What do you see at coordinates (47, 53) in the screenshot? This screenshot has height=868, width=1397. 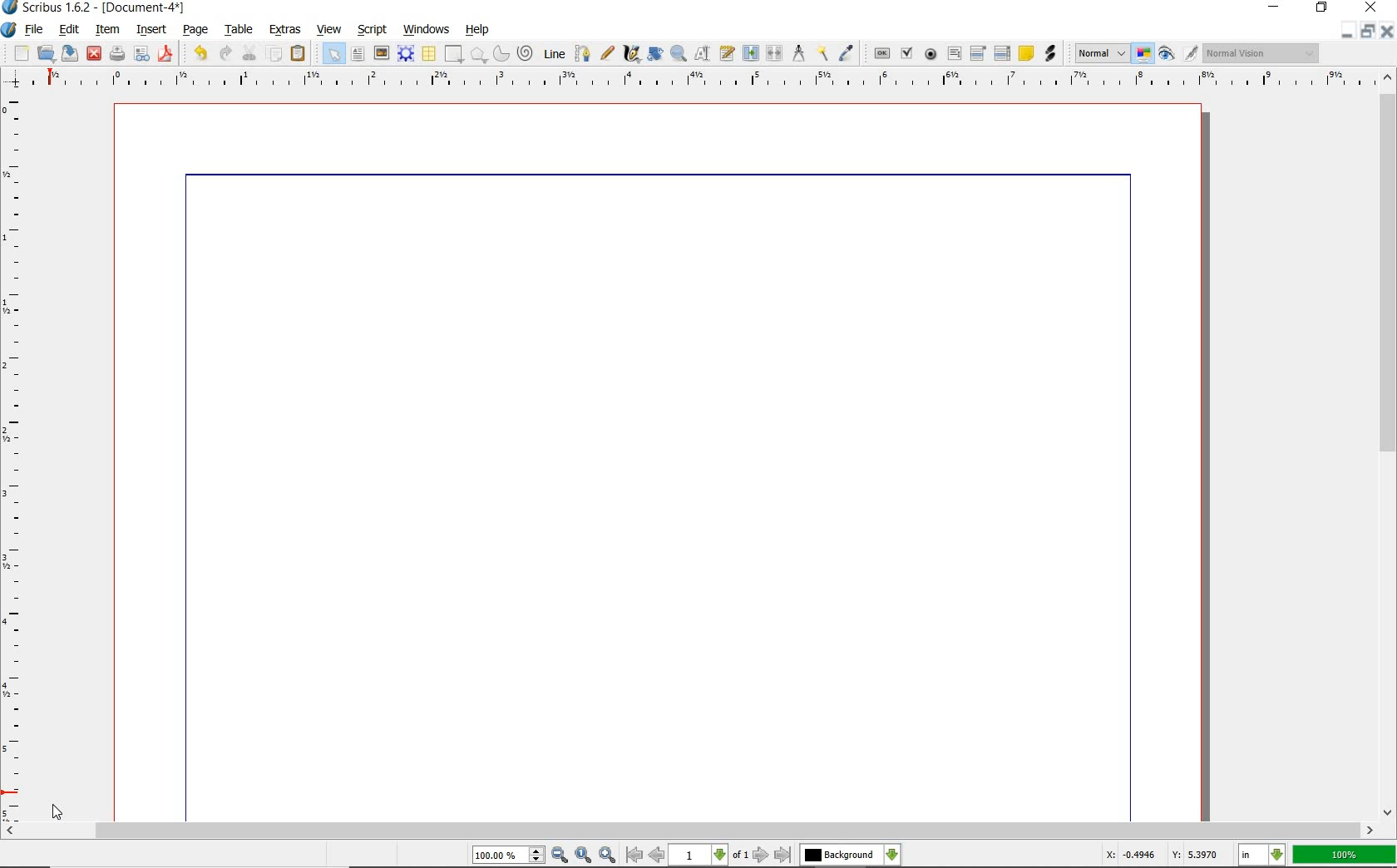 I see `open` at bounding box center [47, 53].